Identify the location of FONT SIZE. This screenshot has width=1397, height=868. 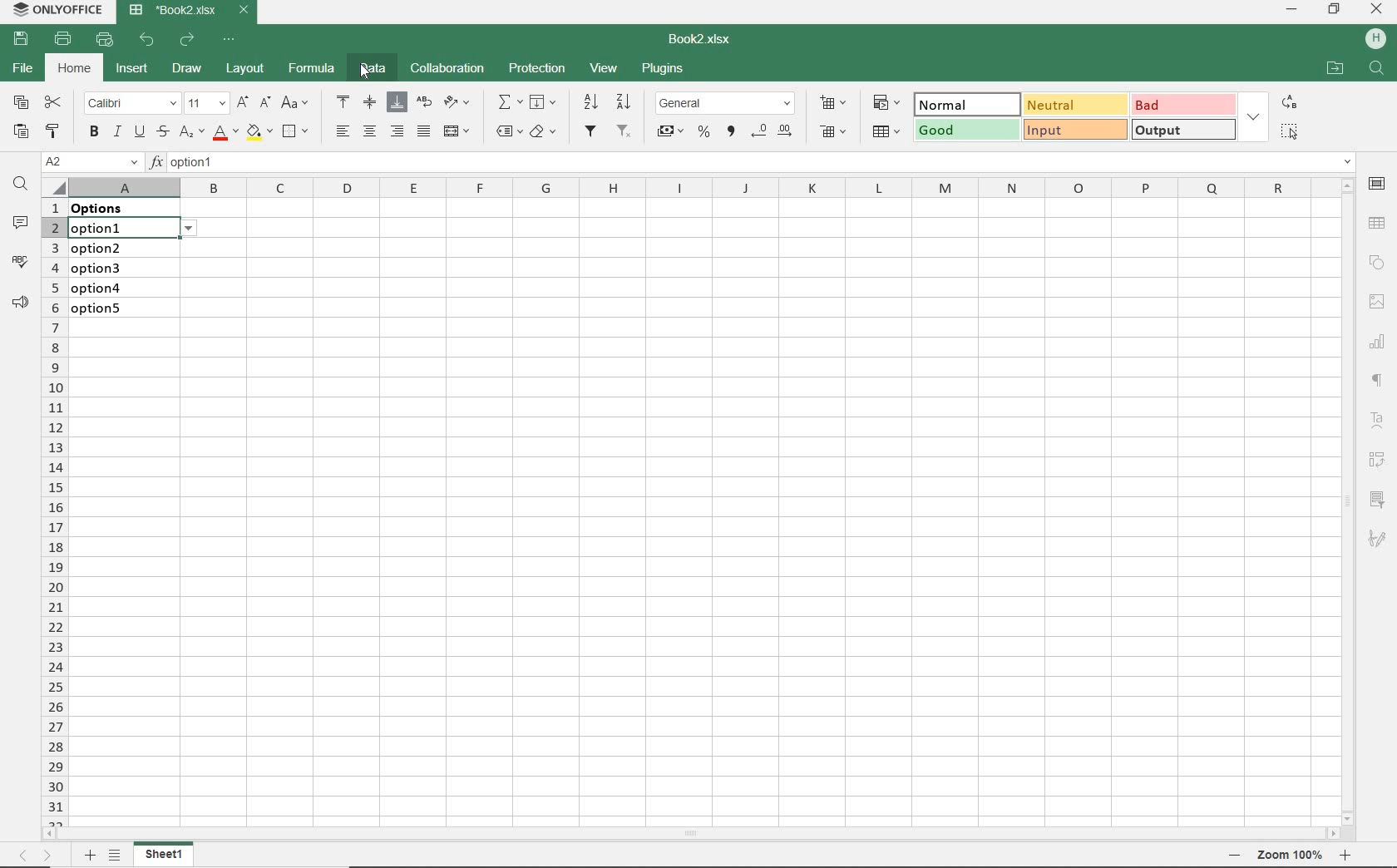
(205, 104).